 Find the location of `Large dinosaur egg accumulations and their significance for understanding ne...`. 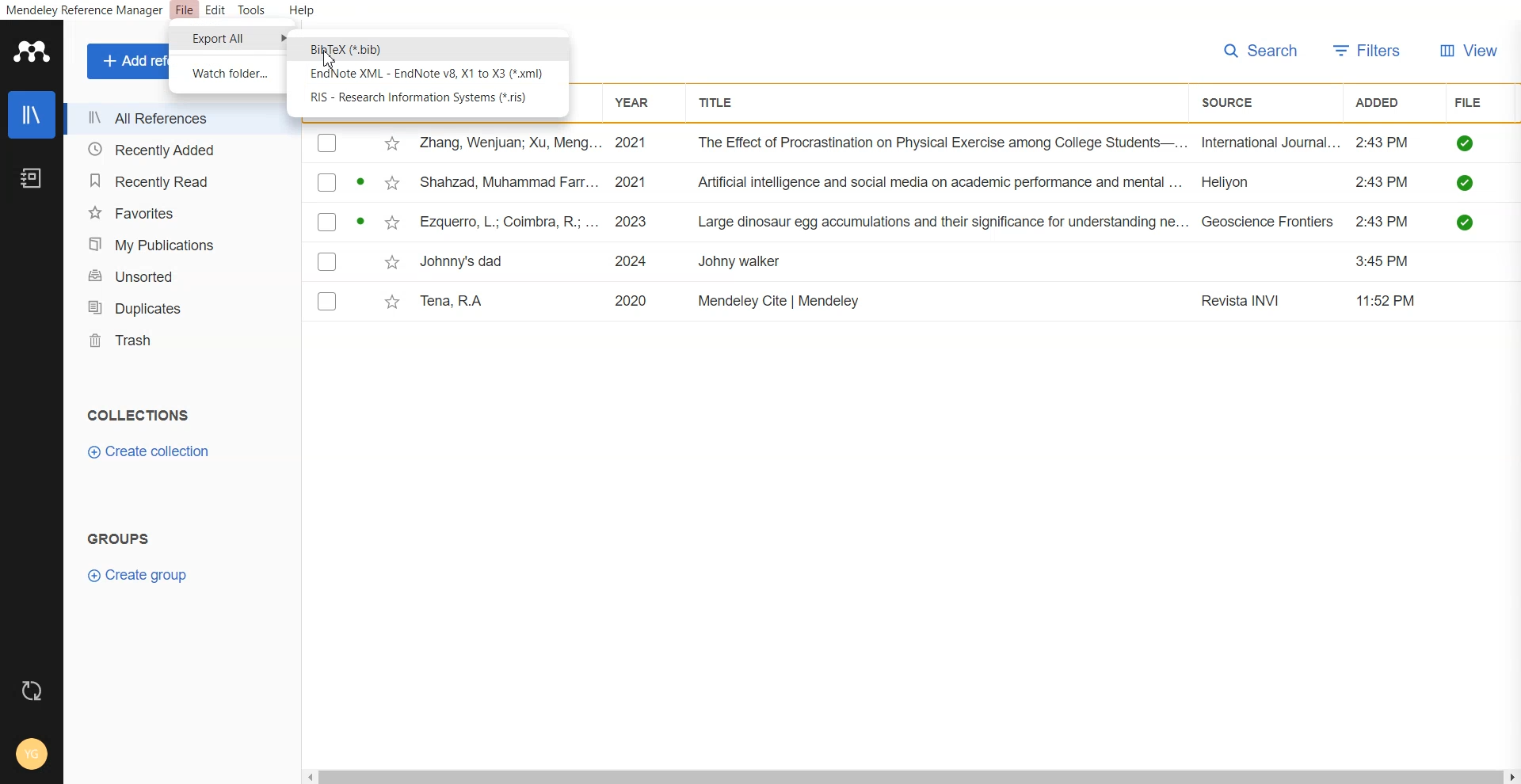

Large dinosaur egg accumulations and their significance for understanding ne... is located at coordinates (943, 223).